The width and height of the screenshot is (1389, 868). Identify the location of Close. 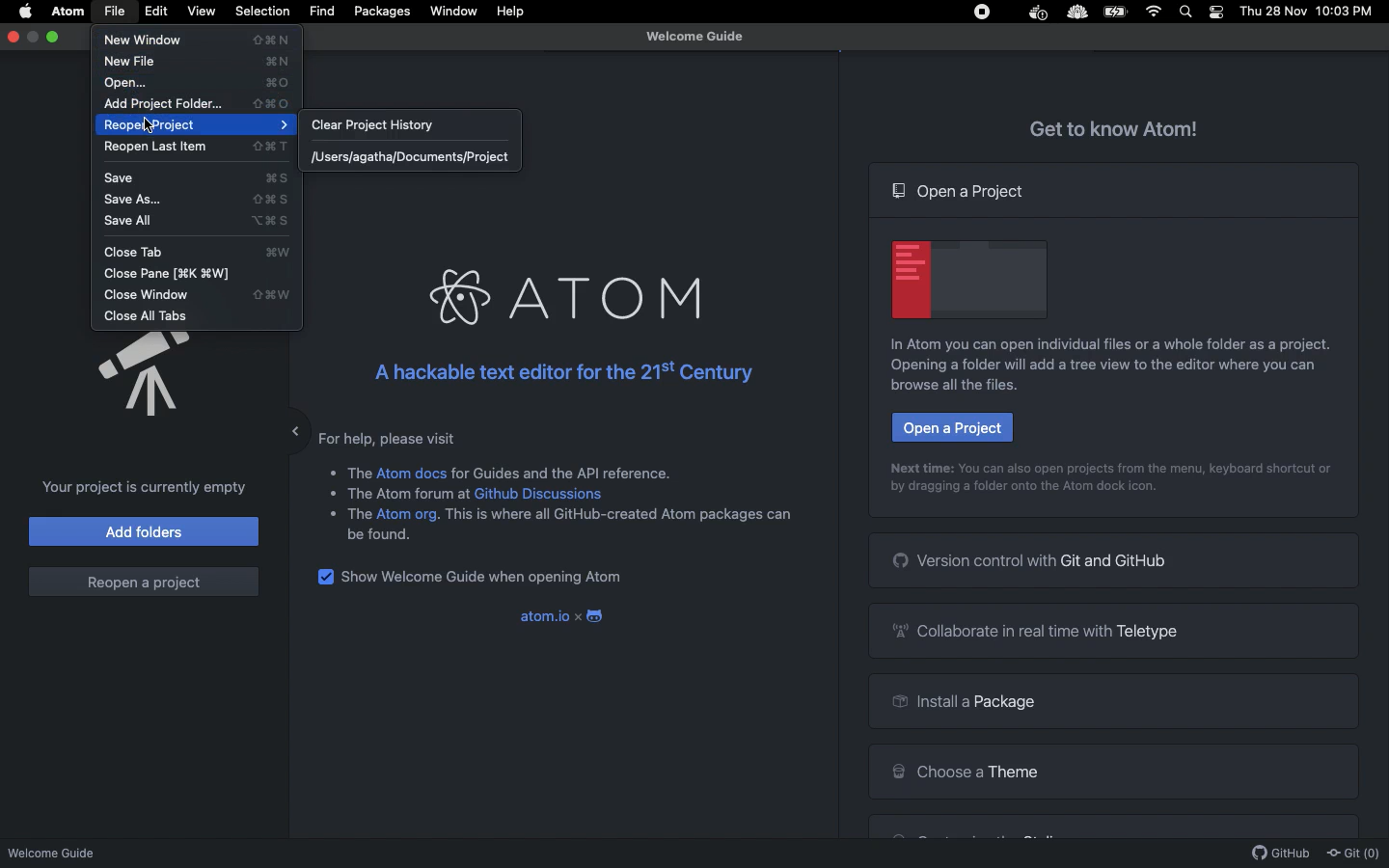
(14, 36).